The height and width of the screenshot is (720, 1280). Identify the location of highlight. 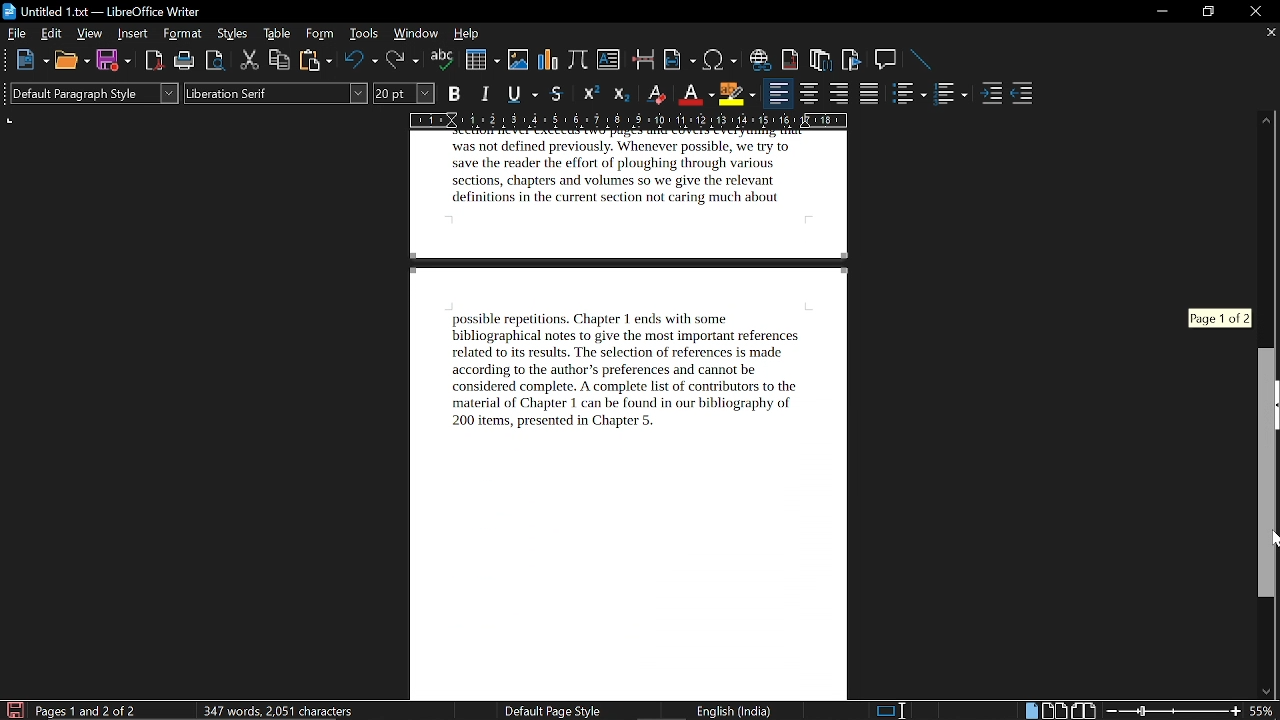
(737, 93).